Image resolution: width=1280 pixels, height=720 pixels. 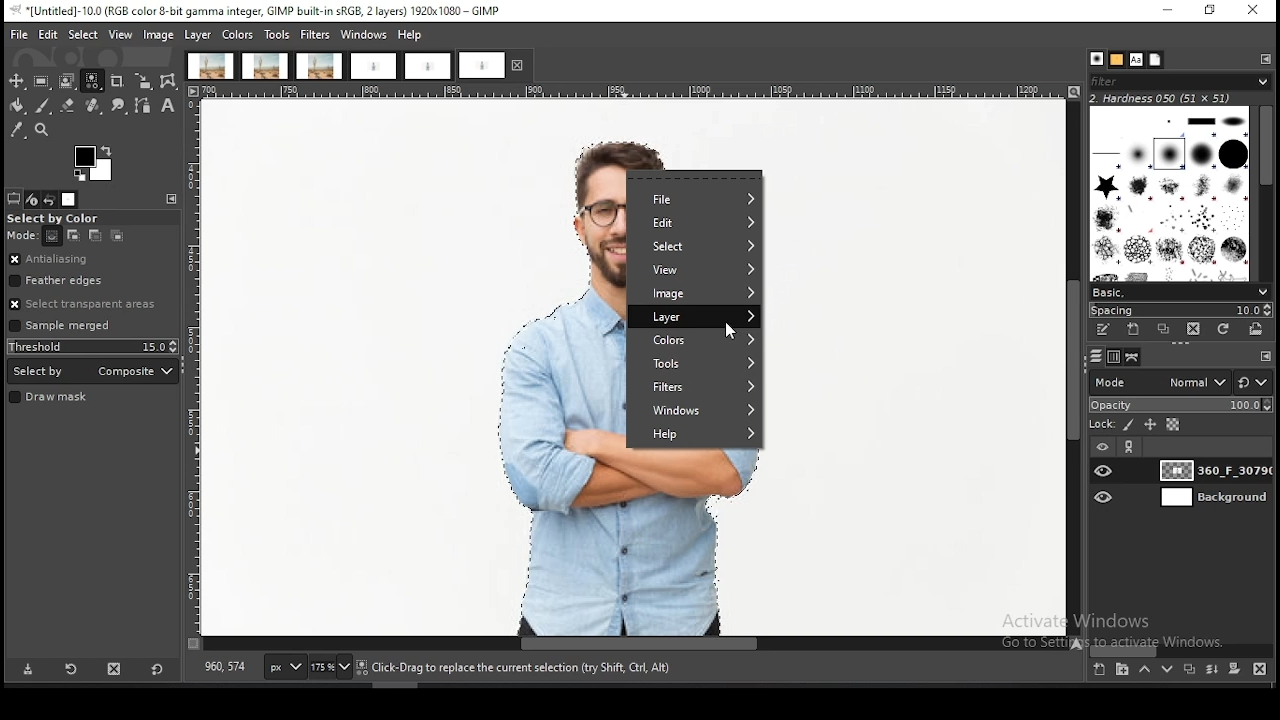 I want to click on spacing, so click(x=1178, y=311).